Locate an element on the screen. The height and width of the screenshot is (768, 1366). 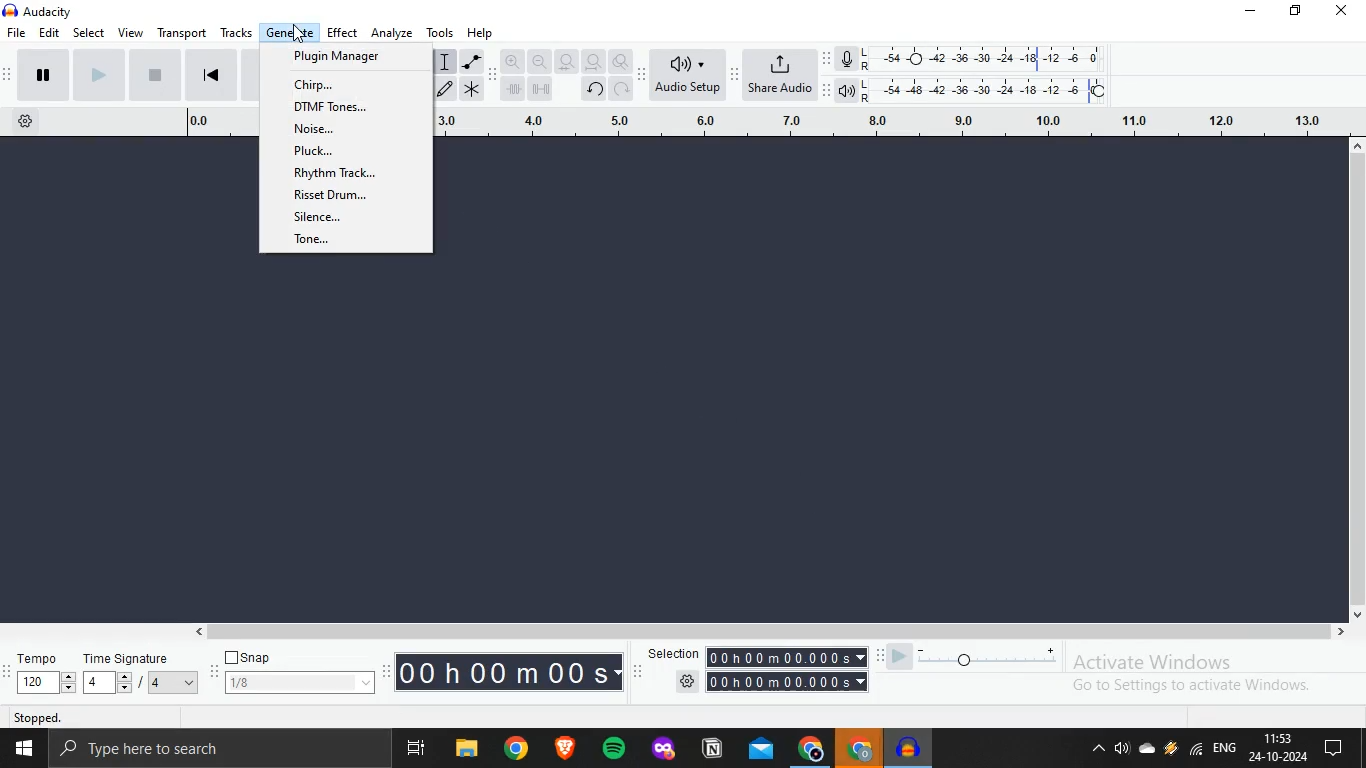
Forward is located at coordinates (97, 75).